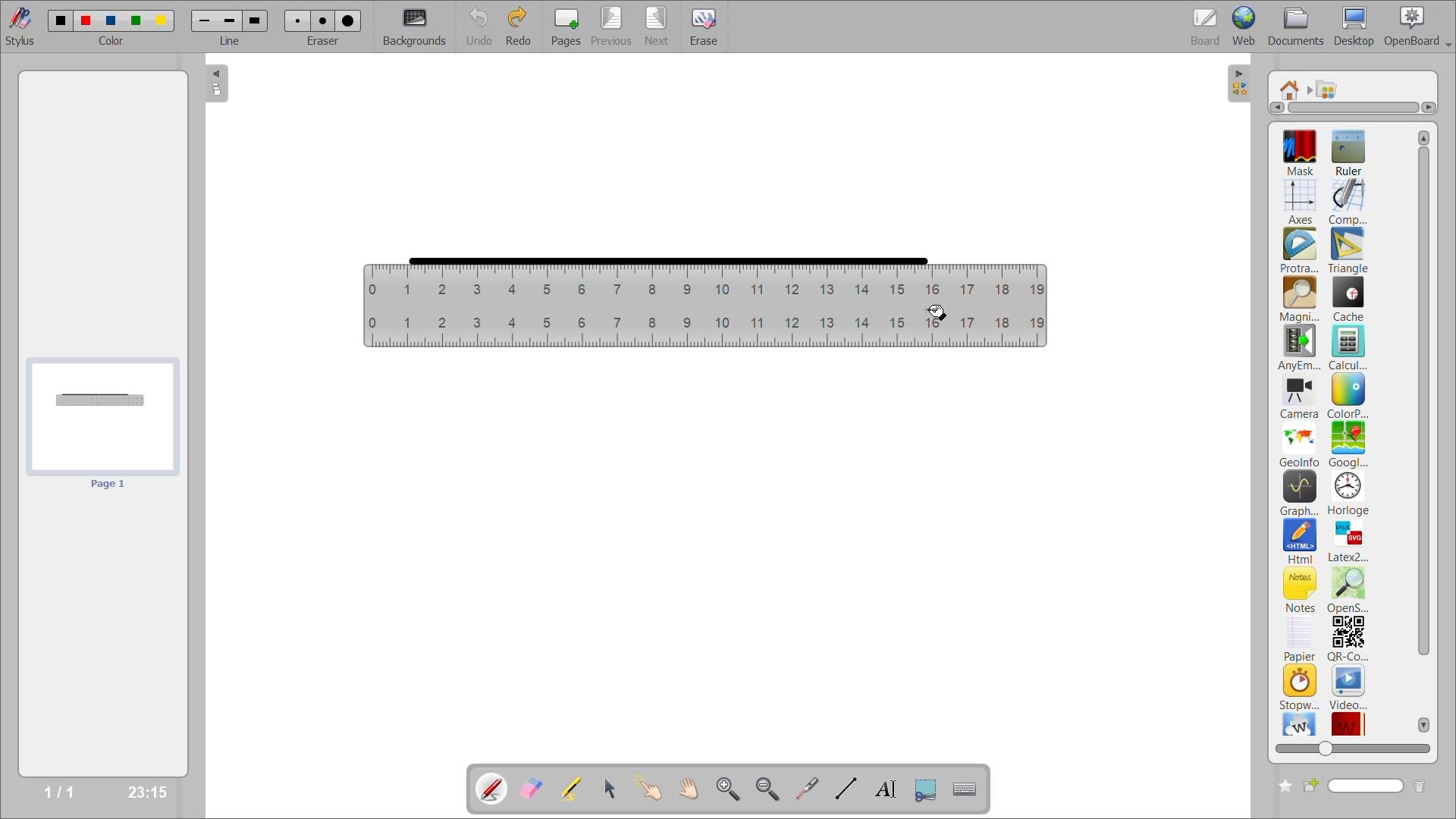 This screenshot has height=819, width=1456. What do you see at coordinates (135, 22) in the screenshot?
I see `color 4` at bounding box center [135, 22].